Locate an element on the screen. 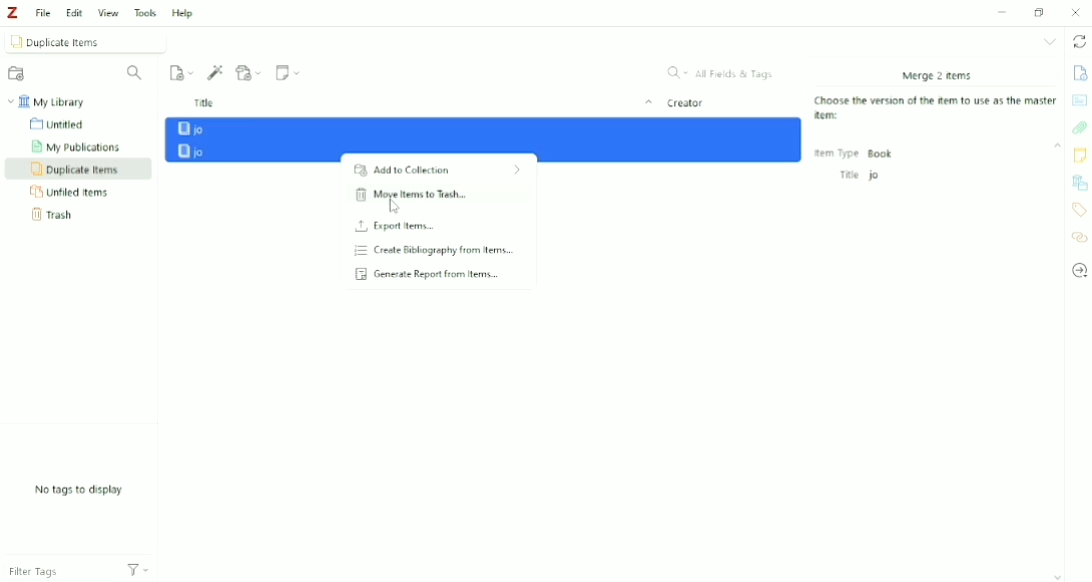 This screenshot has width=1092, height=582. Locate is located at coordinates (1079, 271).